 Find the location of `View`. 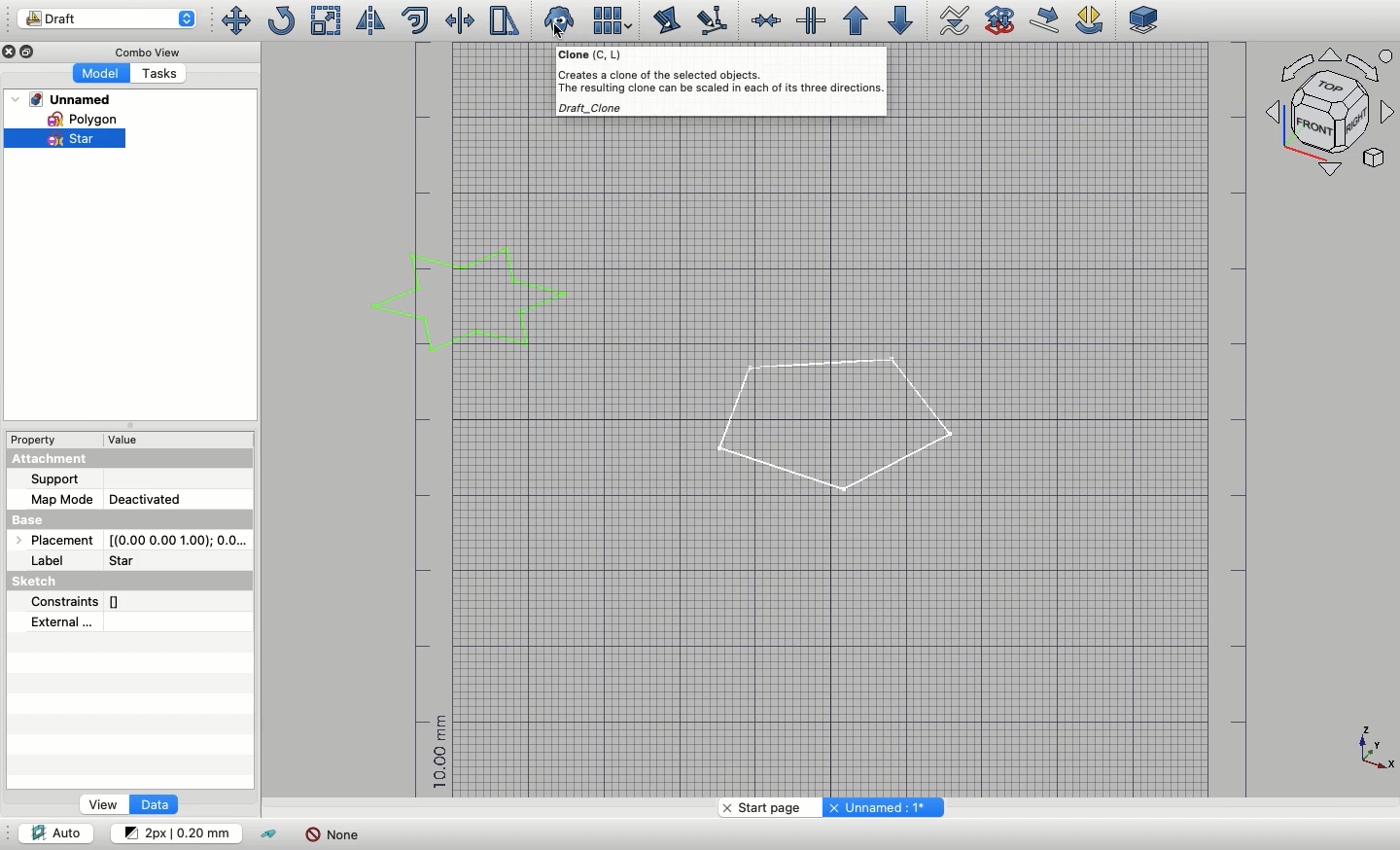

View is located at coordinates (104, 804).